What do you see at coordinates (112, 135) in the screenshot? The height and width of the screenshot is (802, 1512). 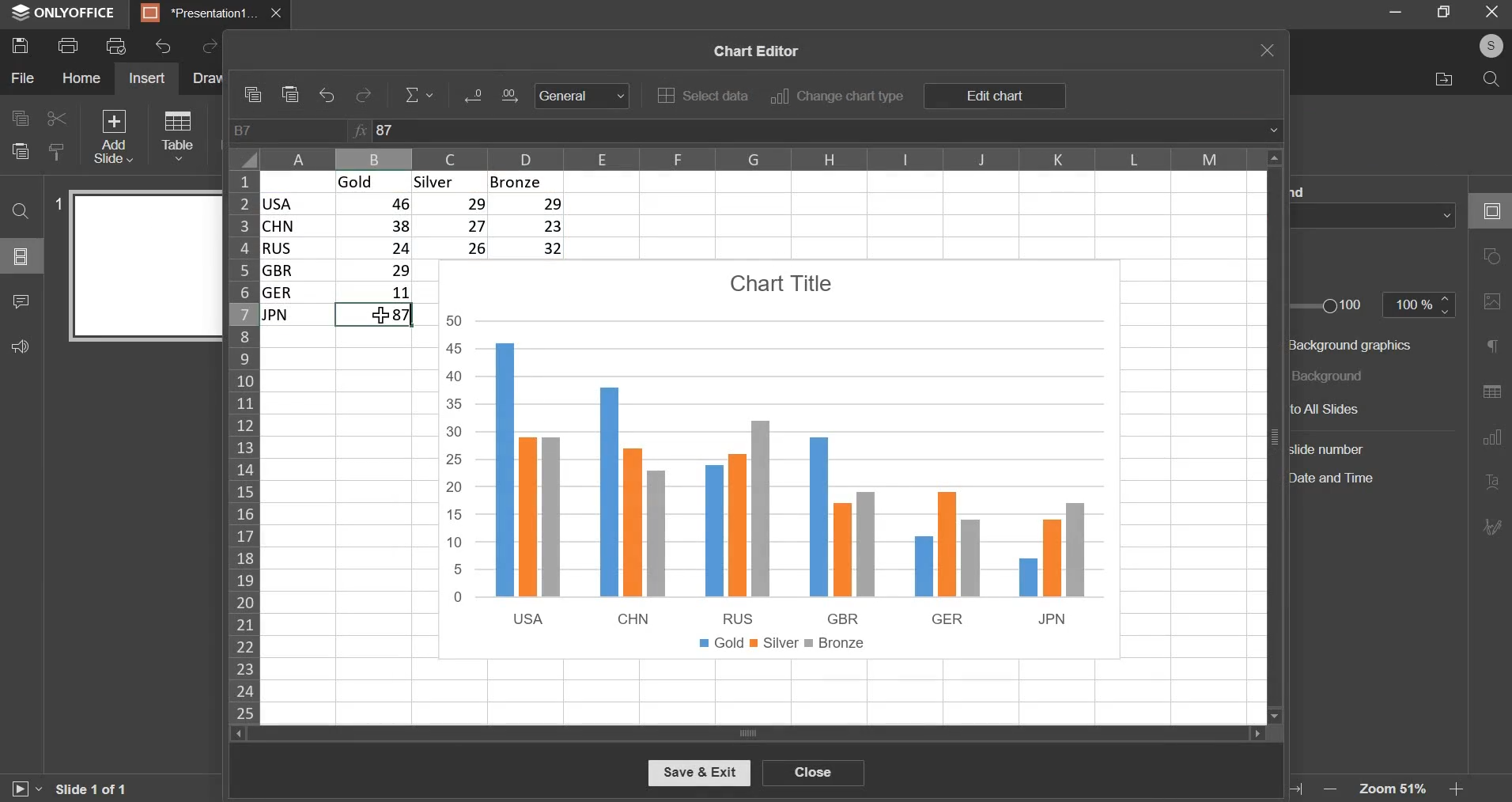 I see `add slide` at bounding box center [112, 135].